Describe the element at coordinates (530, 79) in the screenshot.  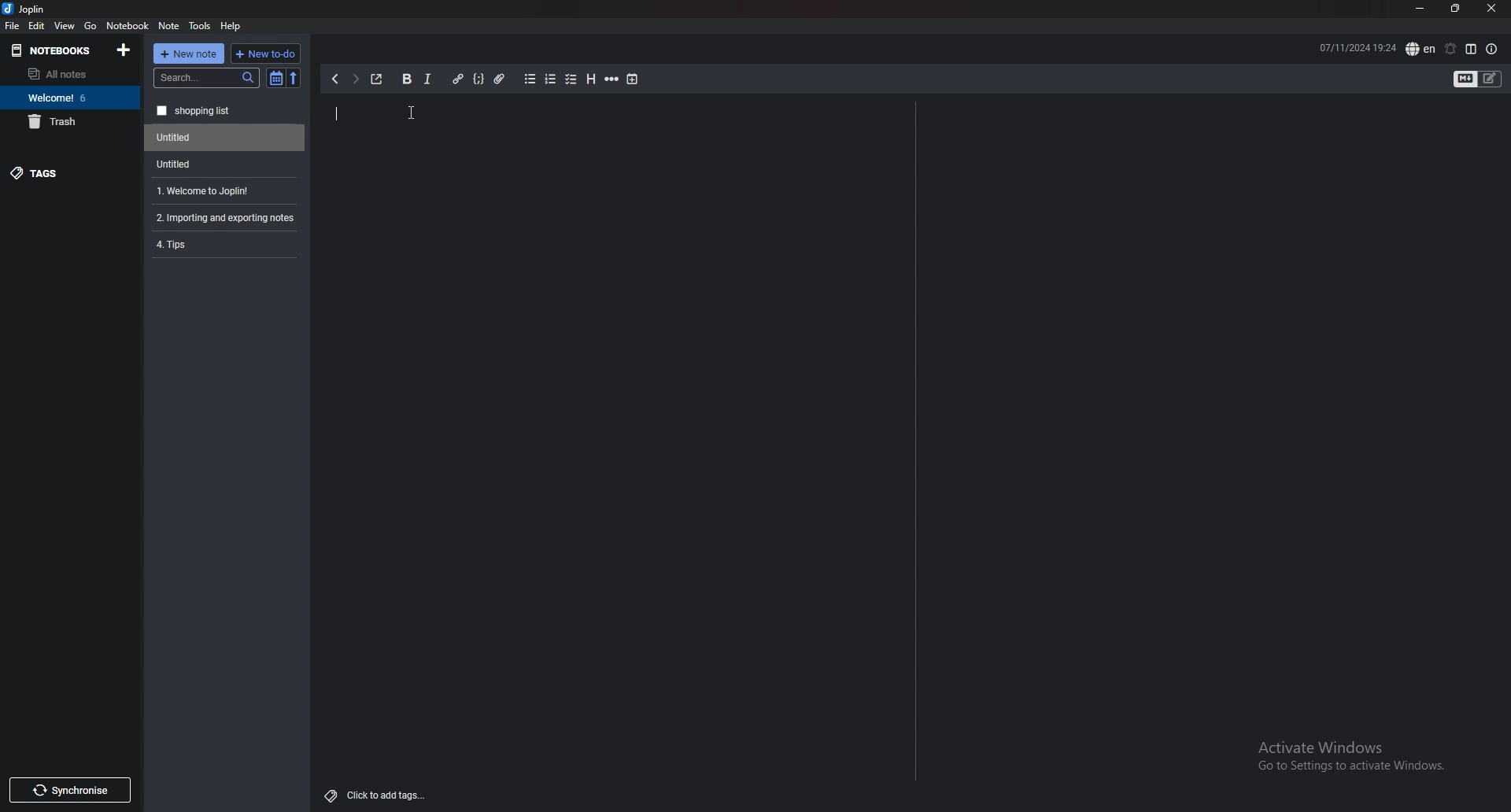
I see `bullet list` at that location.